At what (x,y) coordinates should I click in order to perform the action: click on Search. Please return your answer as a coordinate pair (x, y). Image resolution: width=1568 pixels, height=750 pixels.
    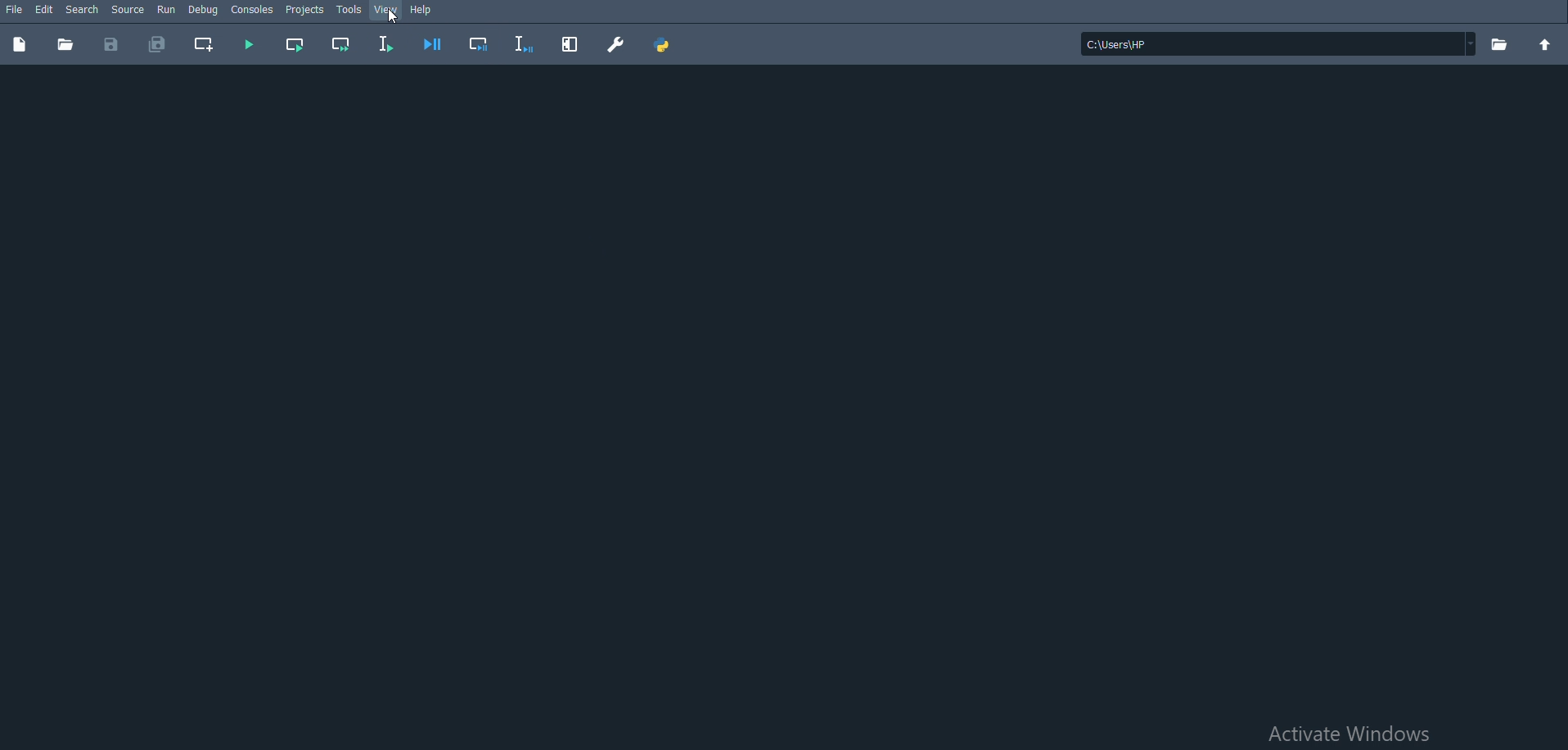
    Looking at the image, I should click on (82, 9).